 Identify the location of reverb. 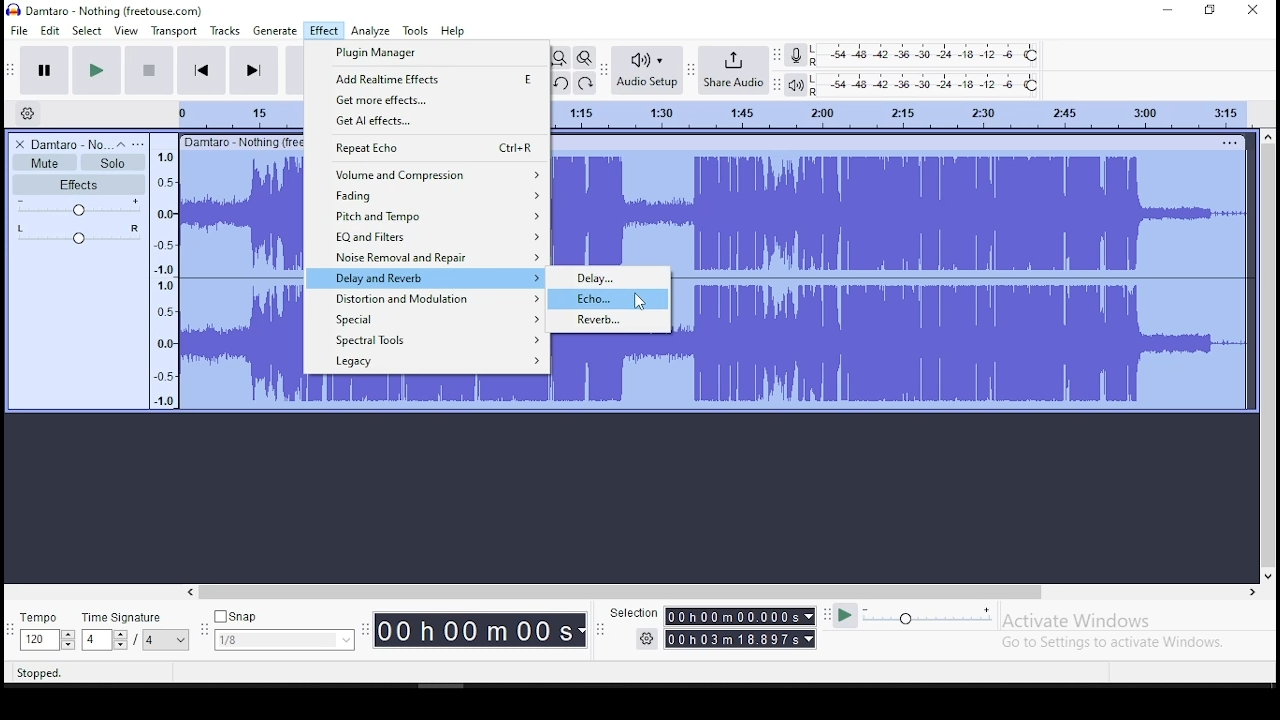
(610, 321).